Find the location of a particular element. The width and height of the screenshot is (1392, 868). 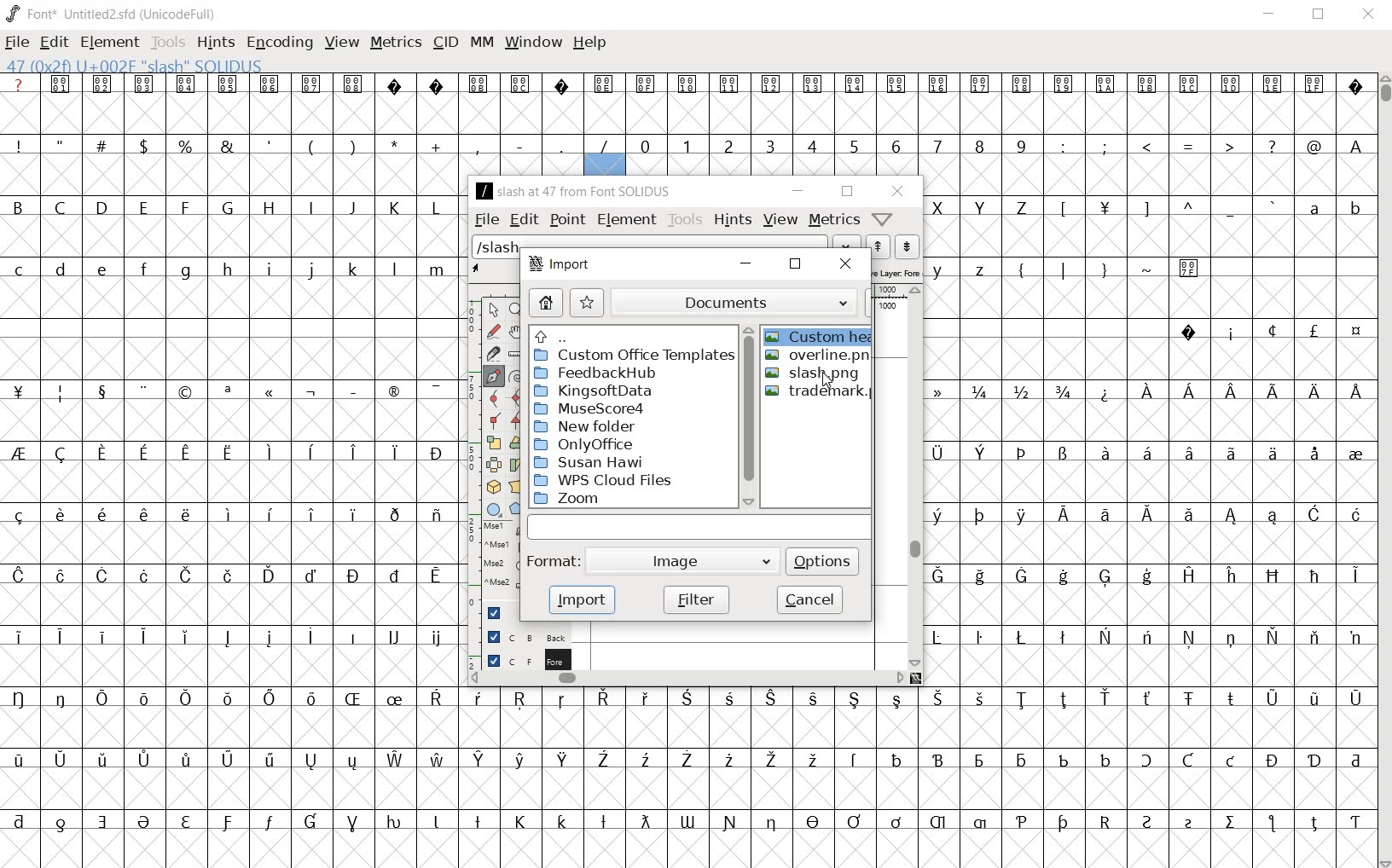

special letters is located at coordinates (1148, 451).